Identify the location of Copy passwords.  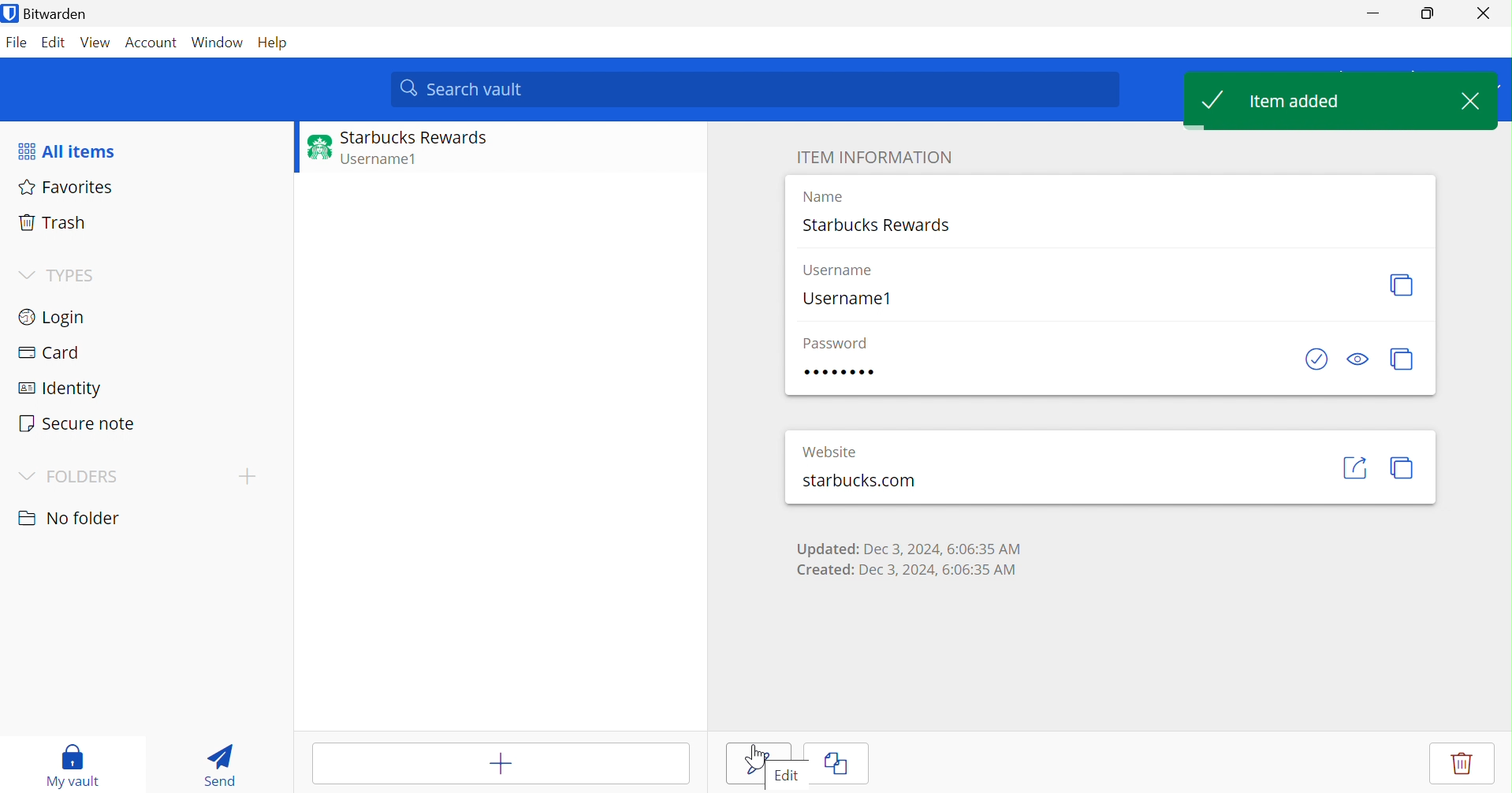
(1405, 360).